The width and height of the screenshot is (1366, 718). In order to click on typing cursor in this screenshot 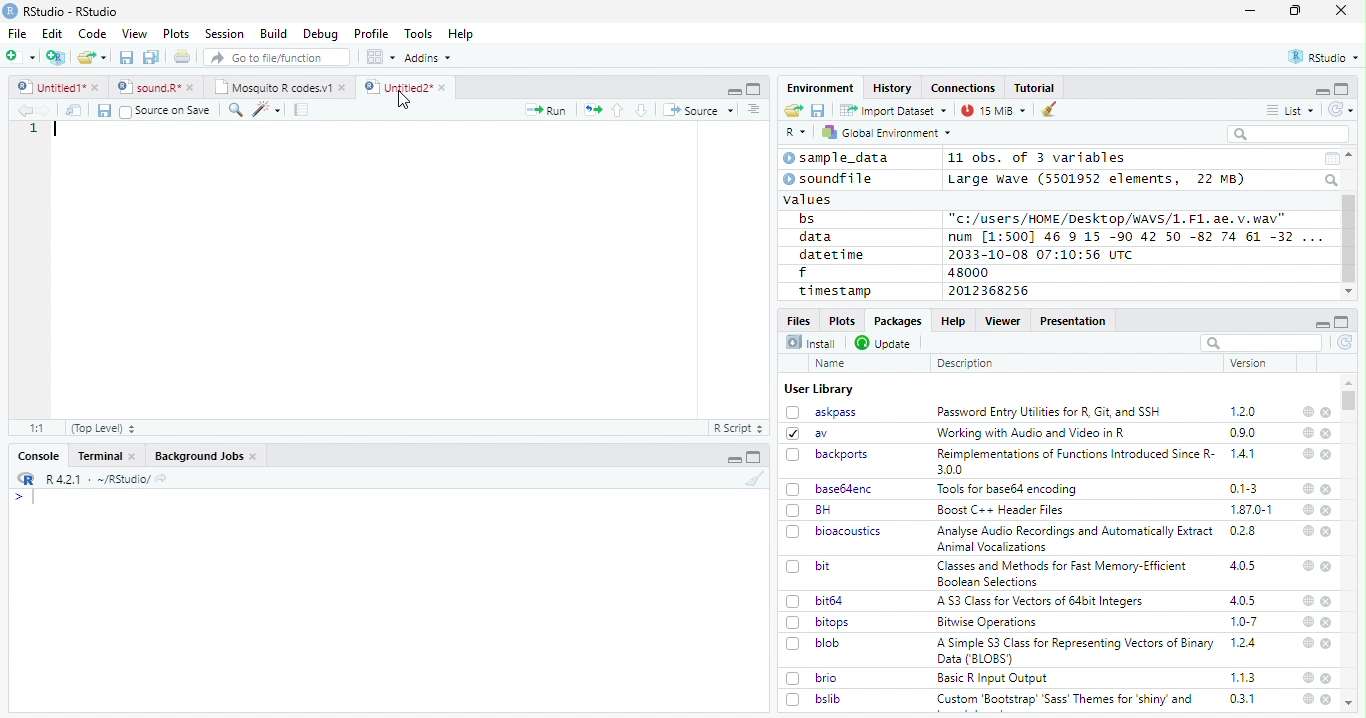, I will do `click(55, 129)`.